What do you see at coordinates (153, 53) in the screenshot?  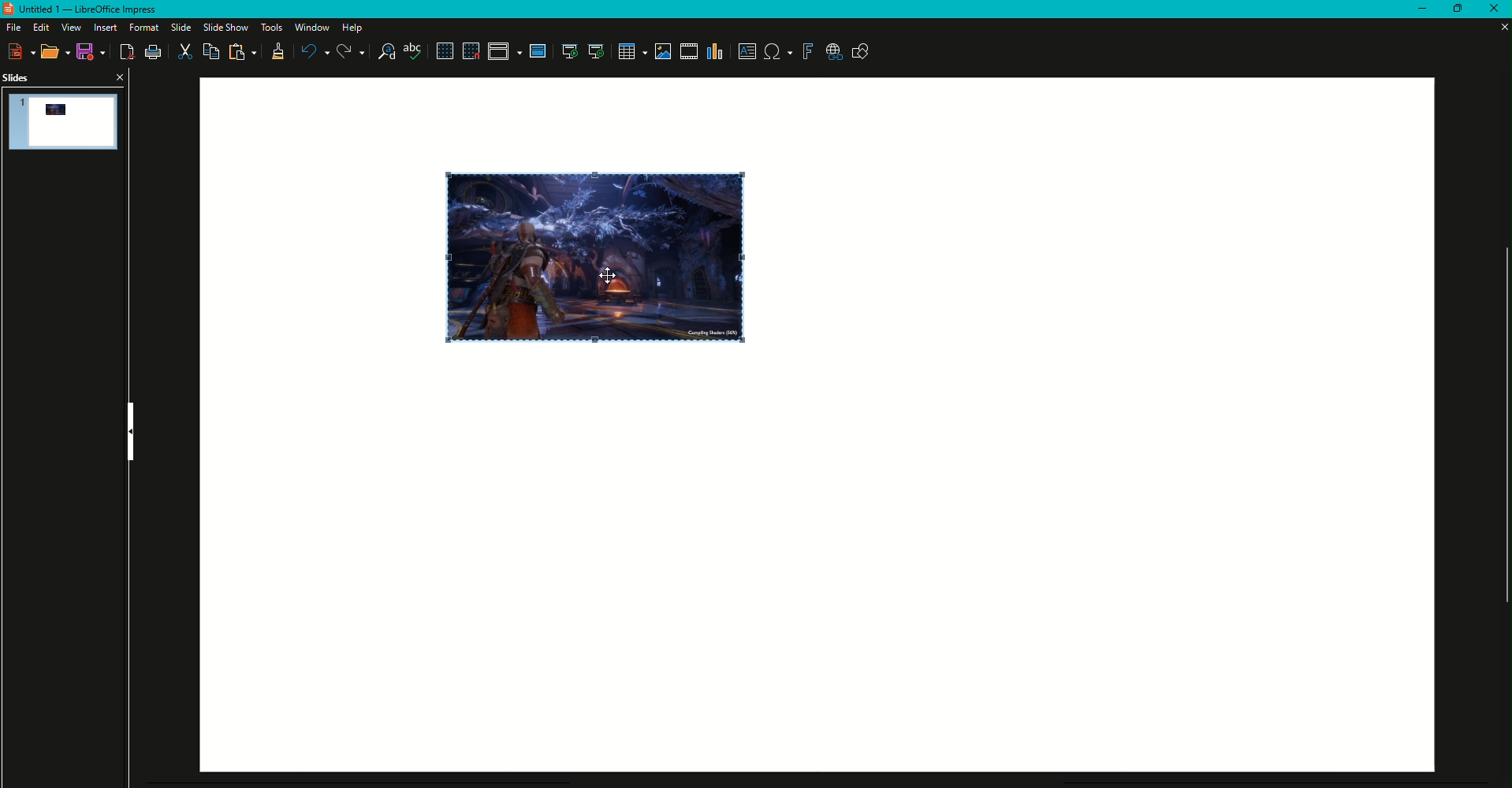 I see `Print` at bounding box center [153, 53].